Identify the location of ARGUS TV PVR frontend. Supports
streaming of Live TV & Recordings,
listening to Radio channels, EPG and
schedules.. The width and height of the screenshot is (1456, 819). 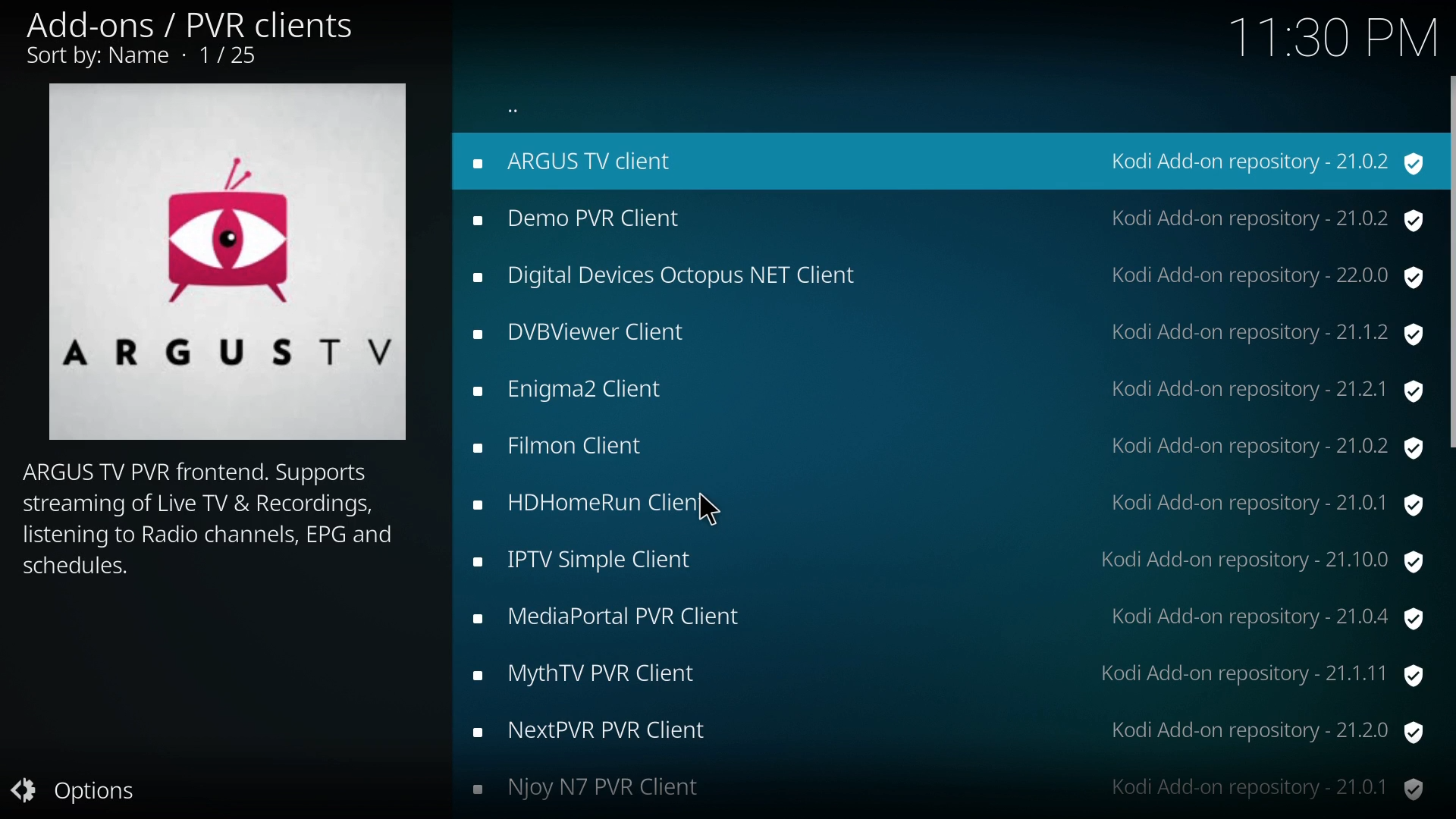
(206, 522).